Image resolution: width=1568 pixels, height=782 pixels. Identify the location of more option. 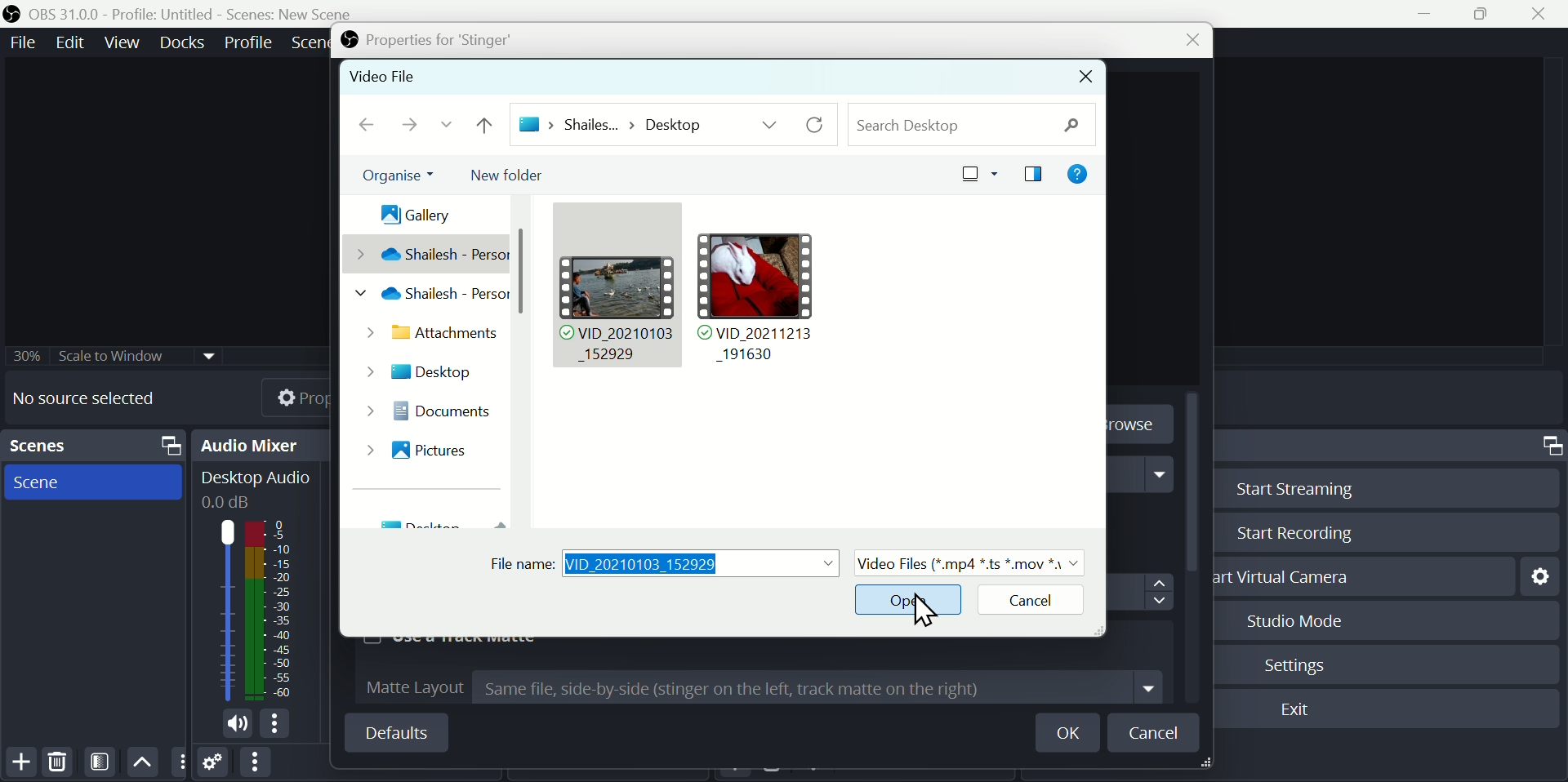
(180, 762).